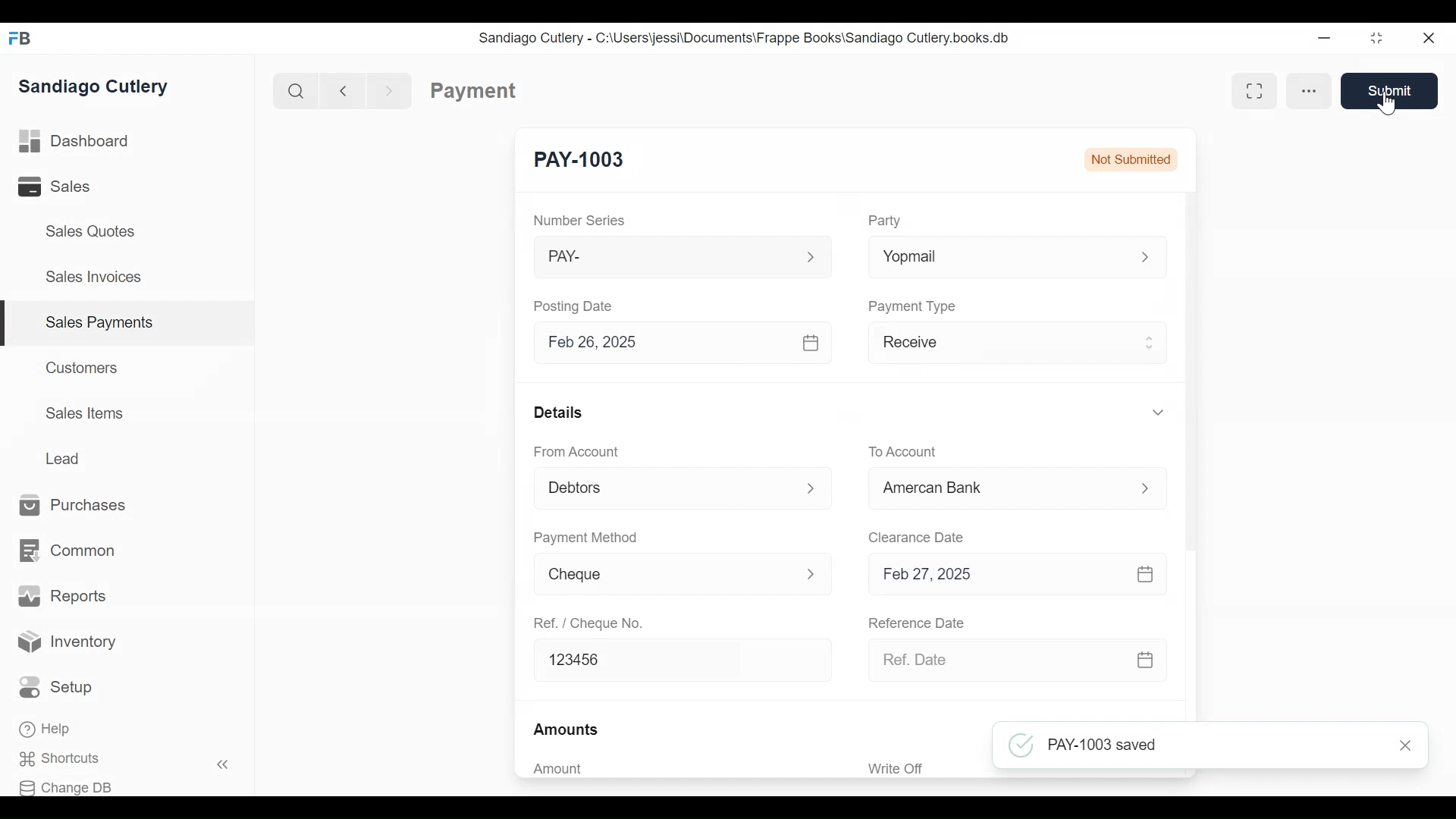 The image size is (1456, 819). What do you see at coordinates (69, 759) in the screenshot?
I see `Shortcuts` at bounding box center [69, 759].